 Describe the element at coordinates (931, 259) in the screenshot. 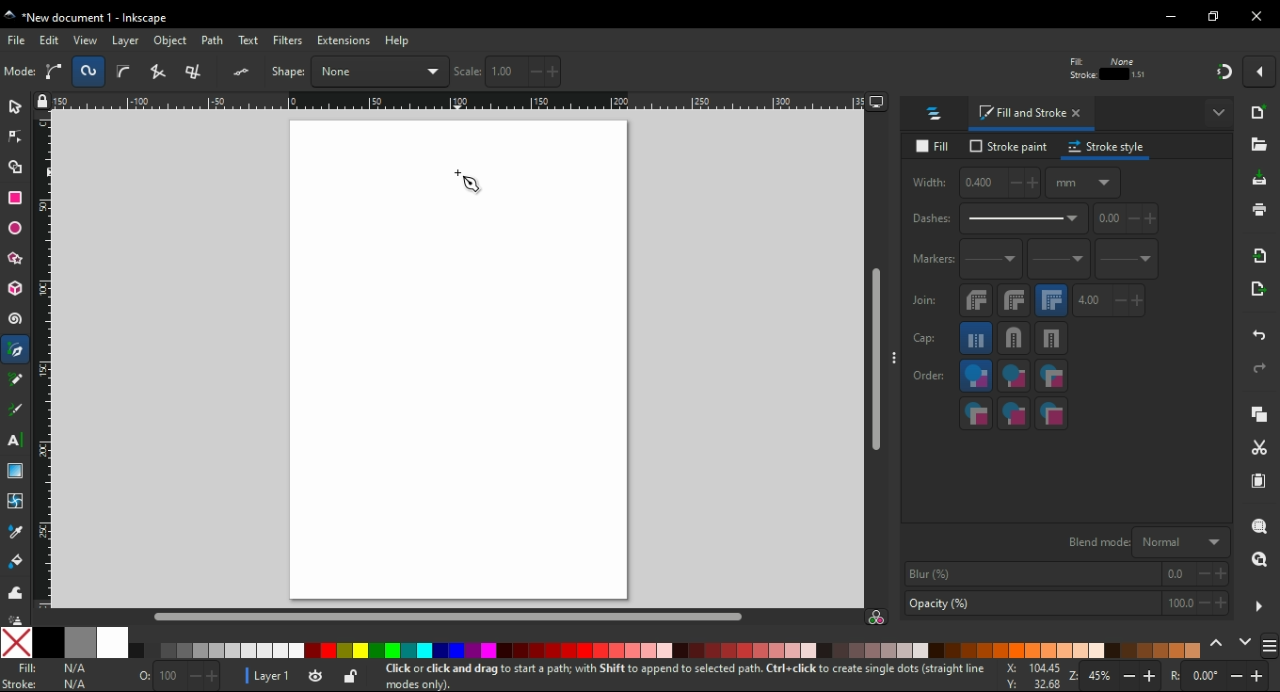

I see `markers` at that location.